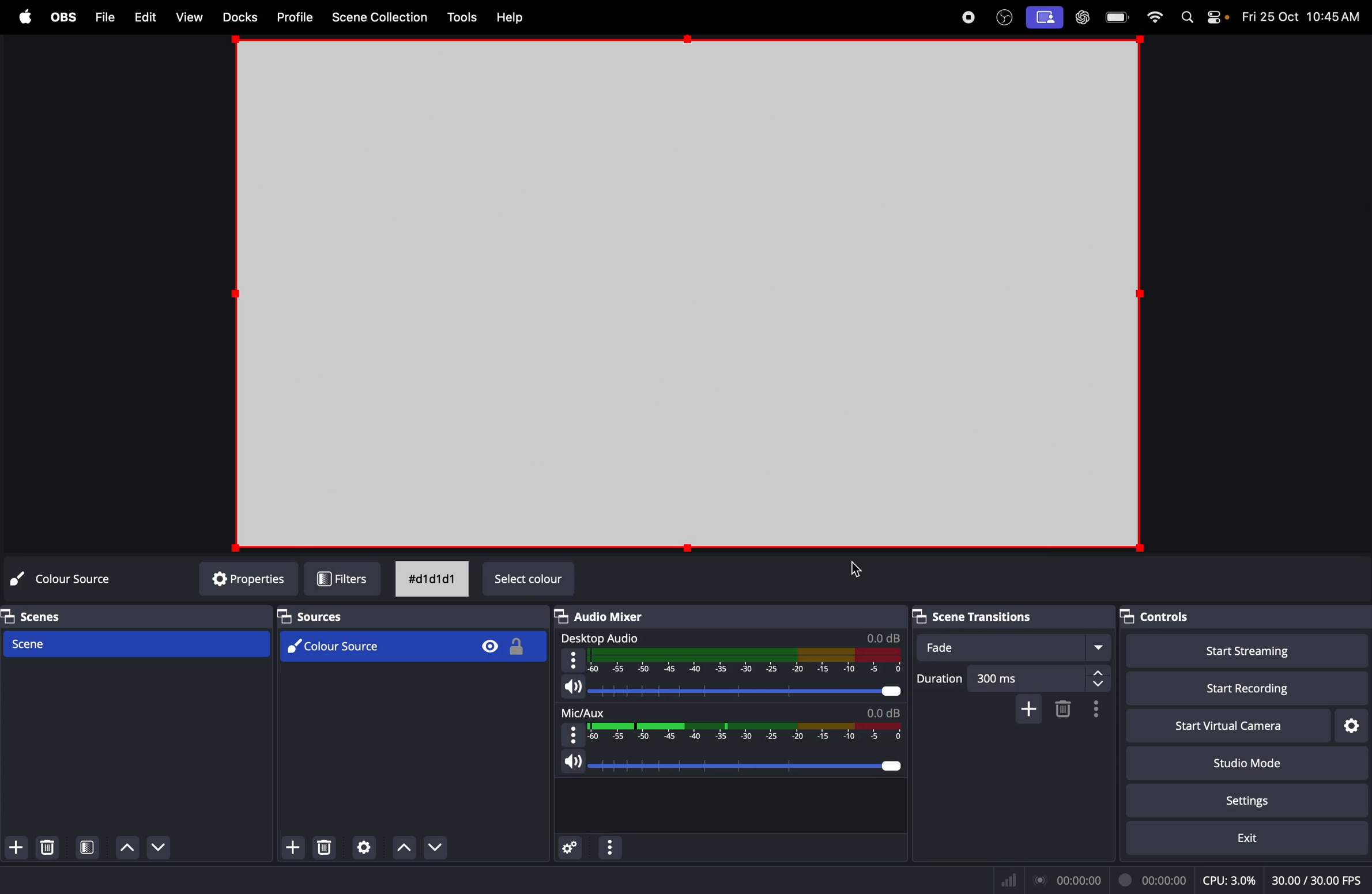 The image size is (1372, 894). I want to click on tools, so click(462, 17).